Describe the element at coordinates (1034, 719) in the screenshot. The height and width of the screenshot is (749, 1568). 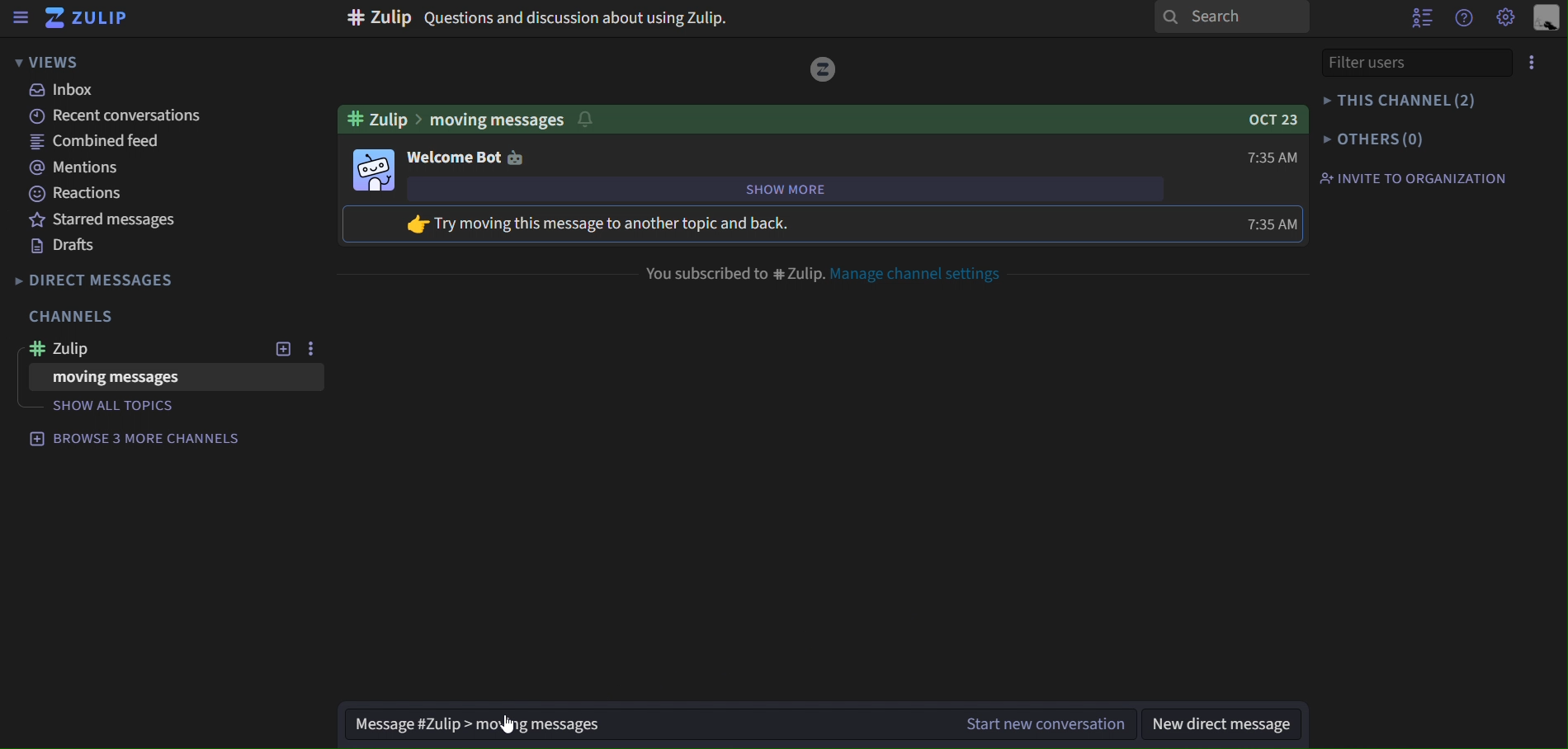
I see `Start new conversation` at that location.